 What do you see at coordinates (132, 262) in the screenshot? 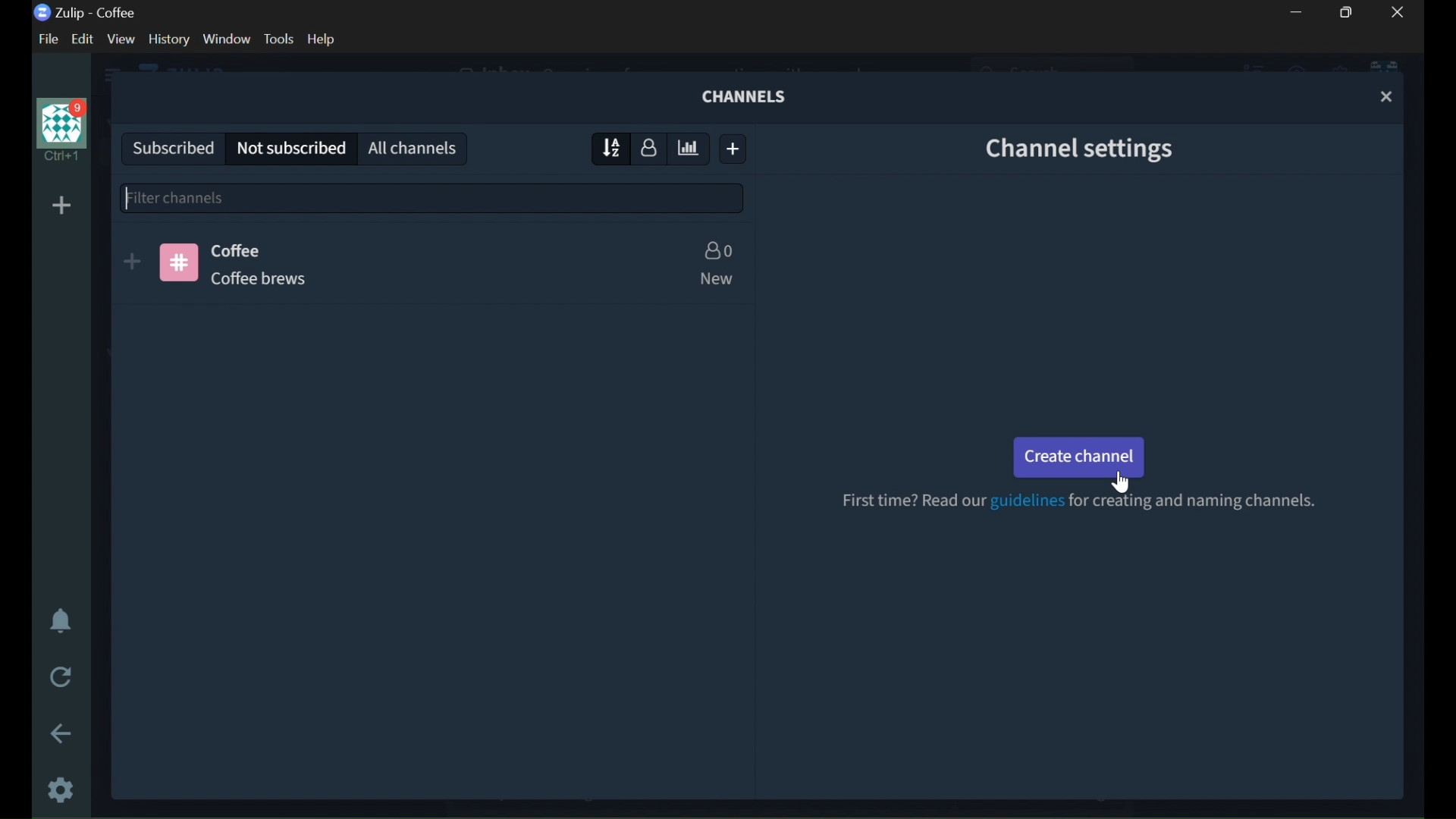
I see `SUBSCRIBE TO CHANNEL` at bounding box center [132, 262].